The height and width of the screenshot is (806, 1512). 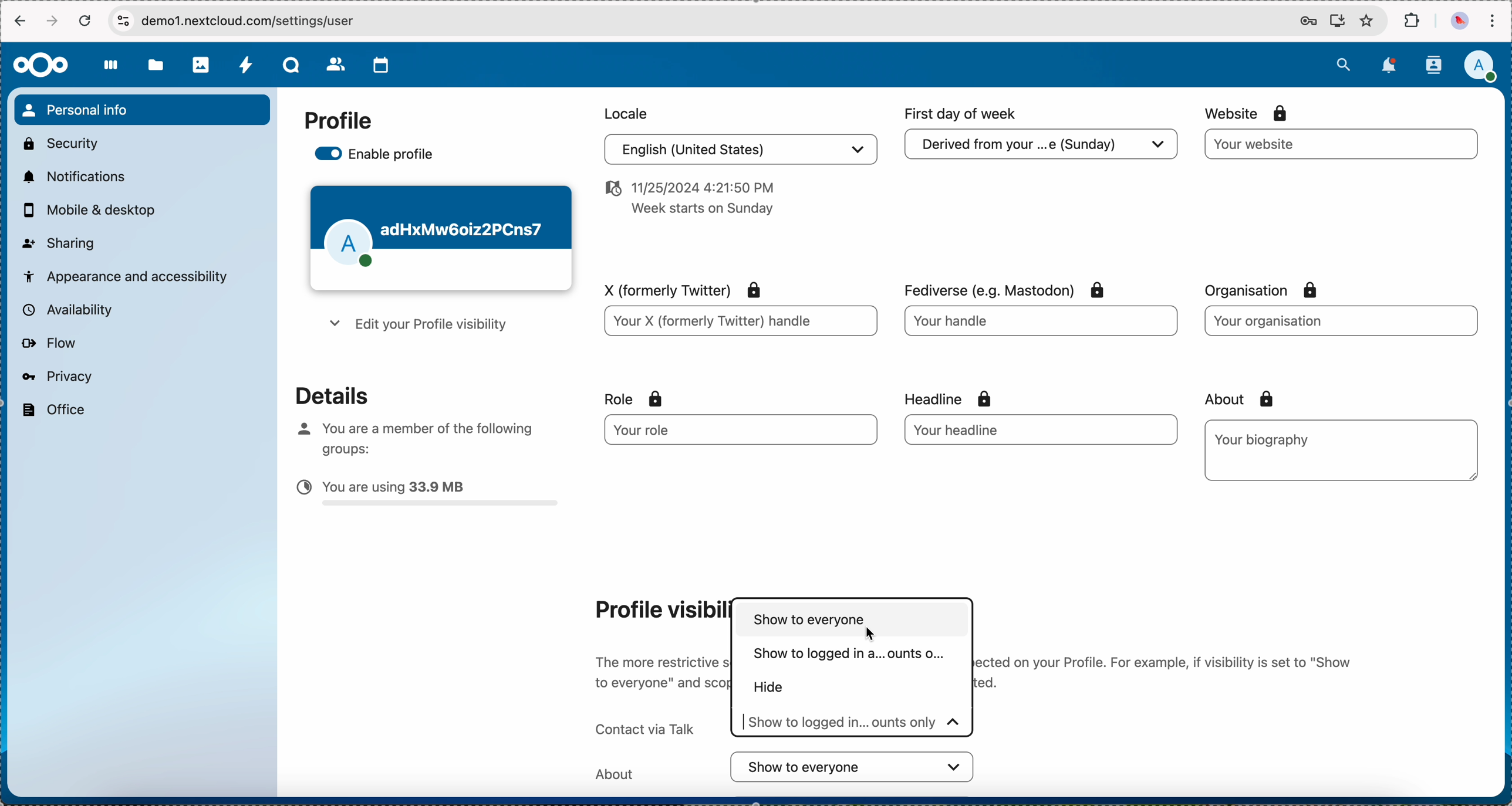 What do you see at coordinates (1433, 65) in the screenshot?
I see `contacts` at bounding box center [1433, 65].